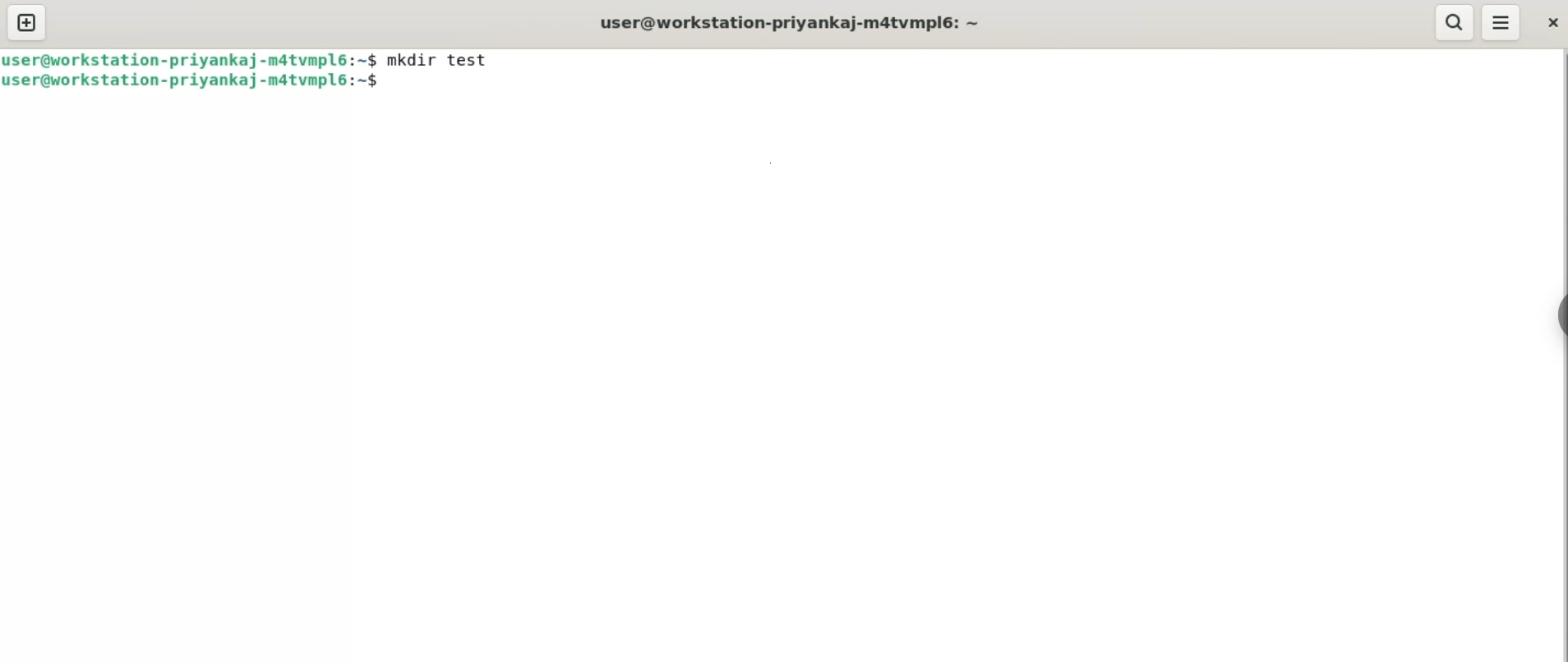  What do you see at coordinates (1455, 22) in the screenshot?
I see `search` at bounding box center [1455, 22].